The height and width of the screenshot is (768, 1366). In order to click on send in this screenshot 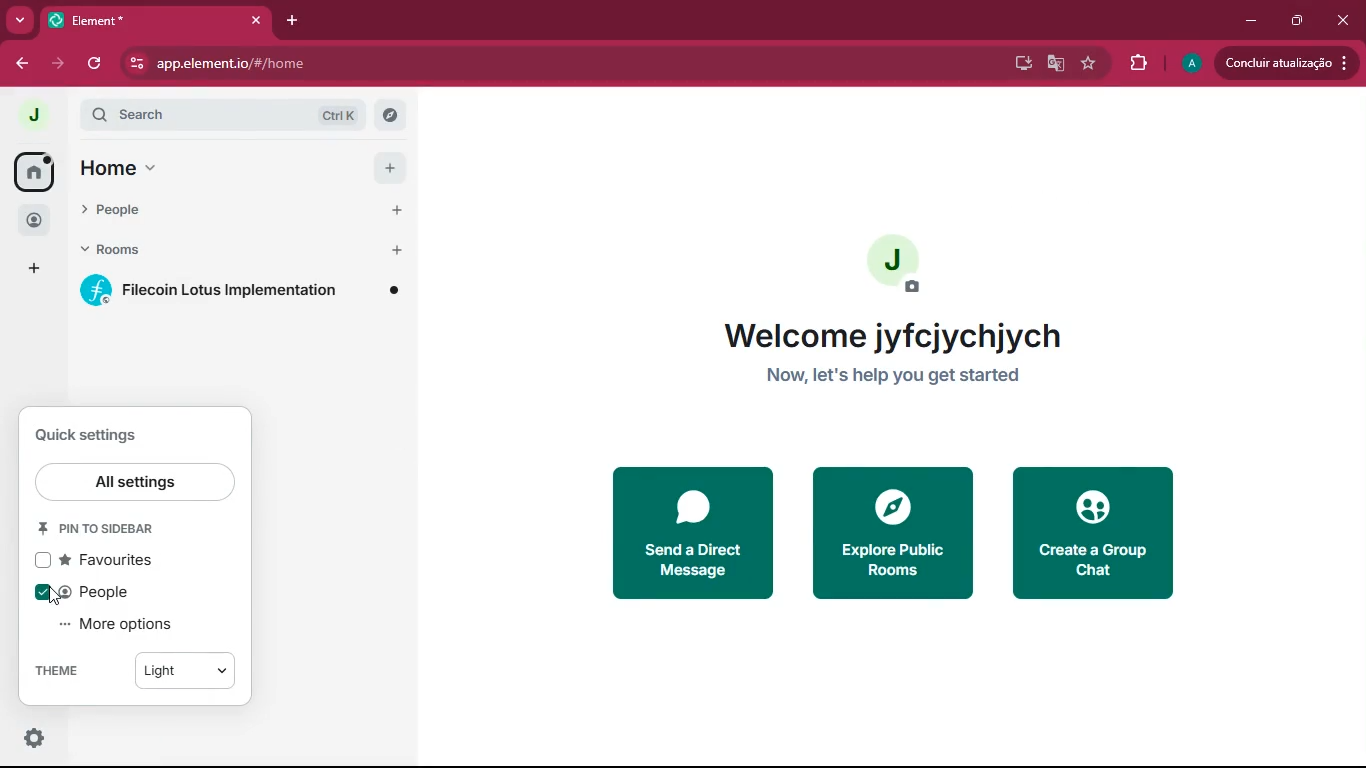, I will do `click(693, 533)`.